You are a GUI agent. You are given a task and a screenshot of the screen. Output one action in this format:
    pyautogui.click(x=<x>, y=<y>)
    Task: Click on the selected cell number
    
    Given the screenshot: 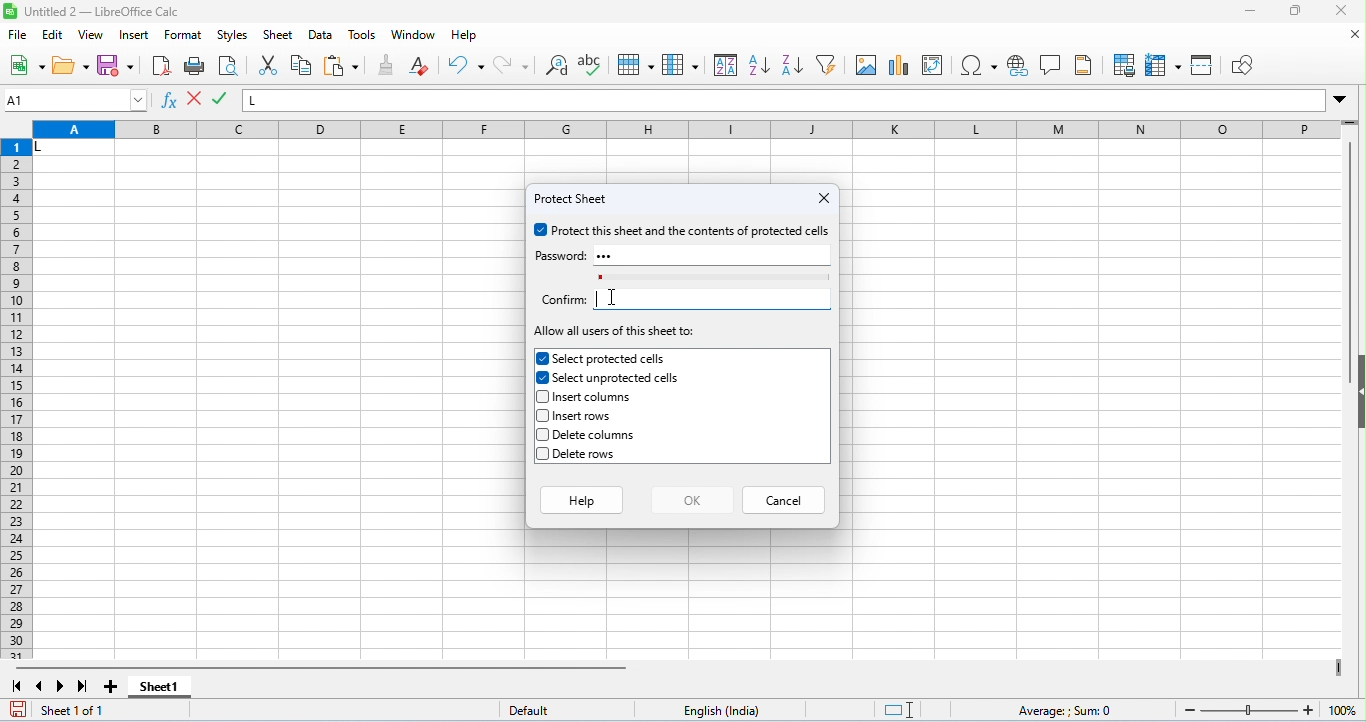 What is the action you would take?
    pyautogui.click(x=76, y=100)
    